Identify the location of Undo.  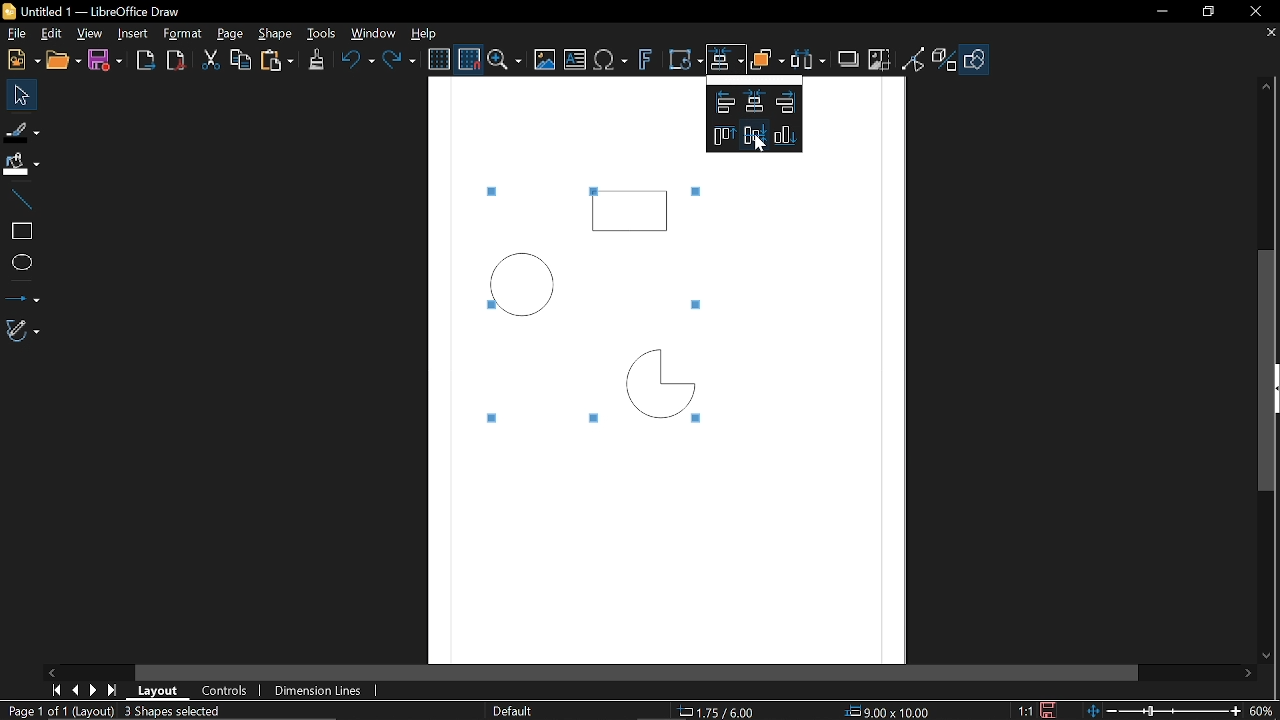
(356, 62).